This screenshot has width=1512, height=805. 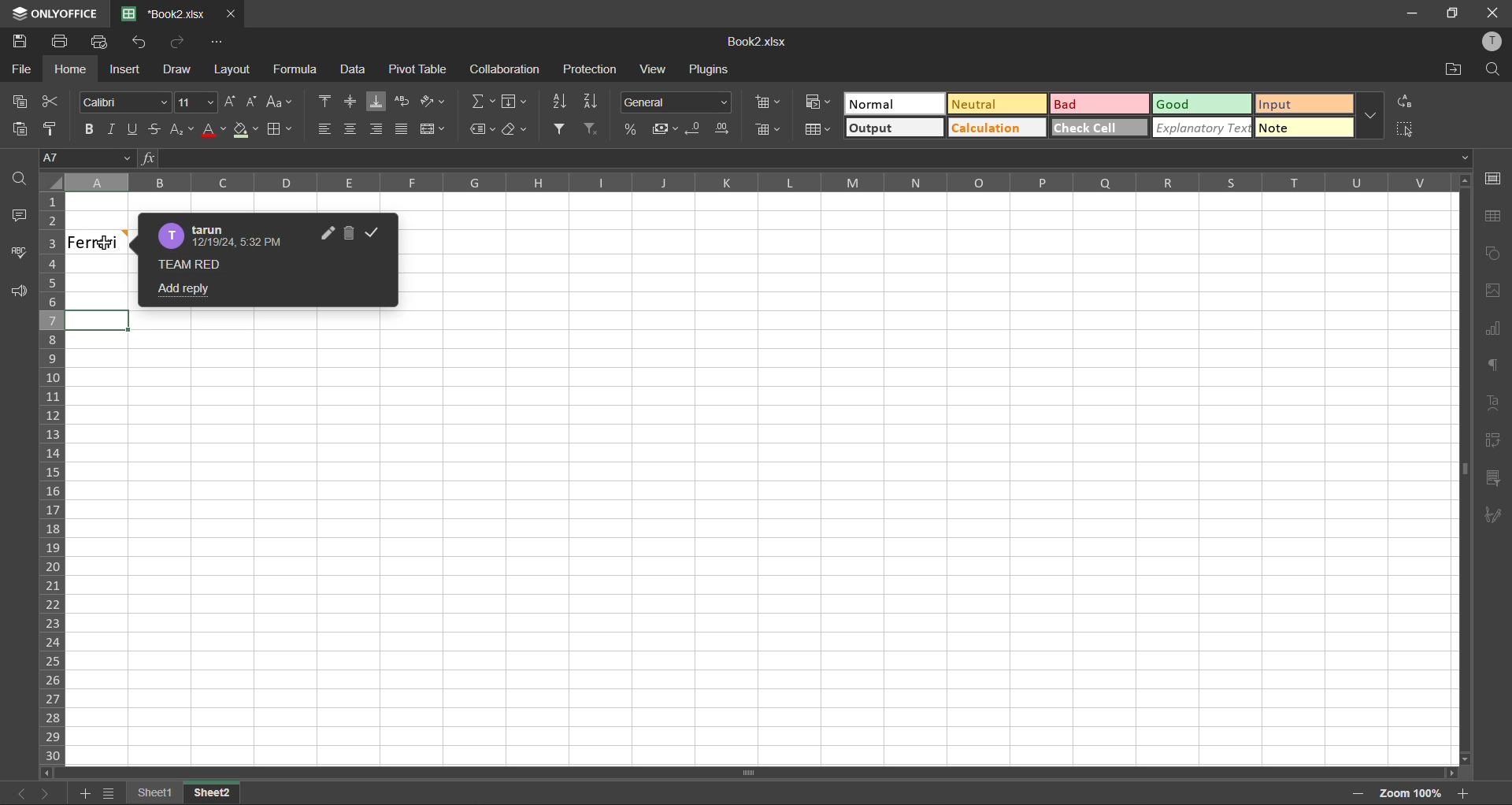 What do you see at coordinates (1205, 128) in the screenshot?
I see `explanatory text` at bounding box center [1205, 128].